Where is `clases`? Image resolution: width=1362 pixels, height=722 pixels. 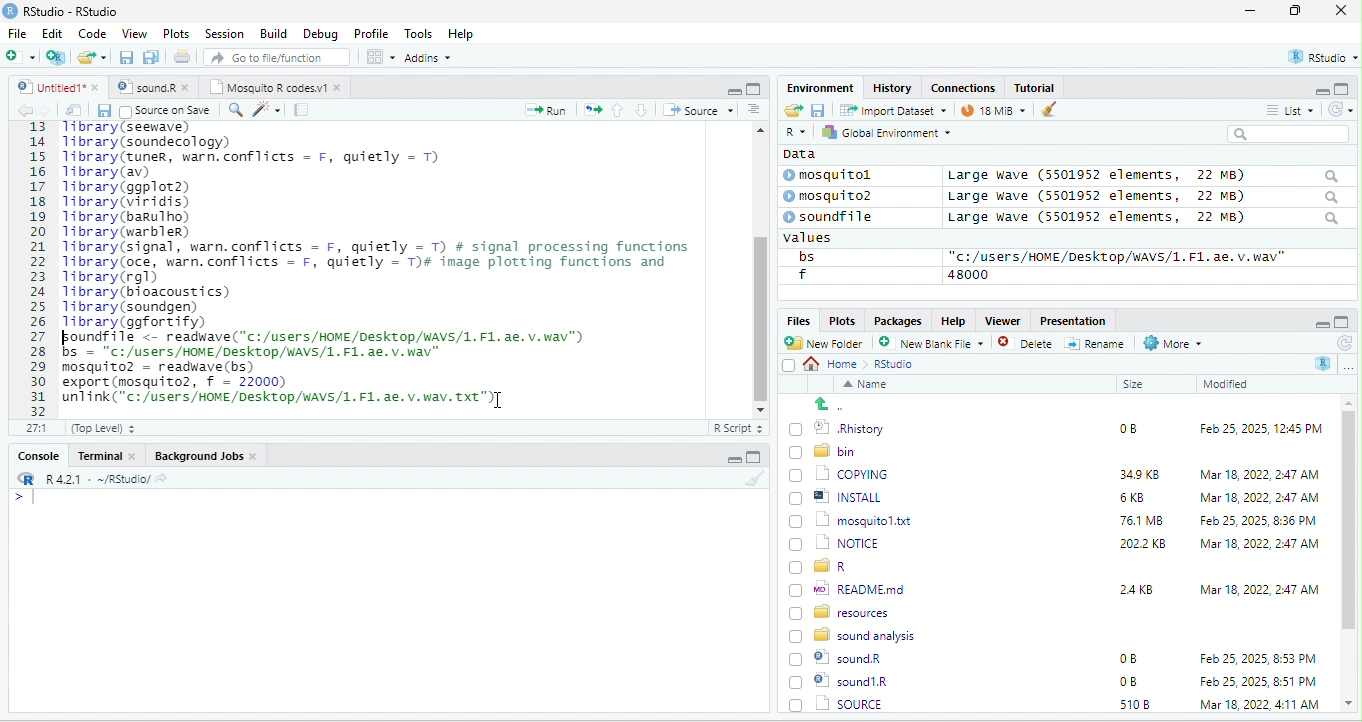
clases is located at coordinates (965, 86).